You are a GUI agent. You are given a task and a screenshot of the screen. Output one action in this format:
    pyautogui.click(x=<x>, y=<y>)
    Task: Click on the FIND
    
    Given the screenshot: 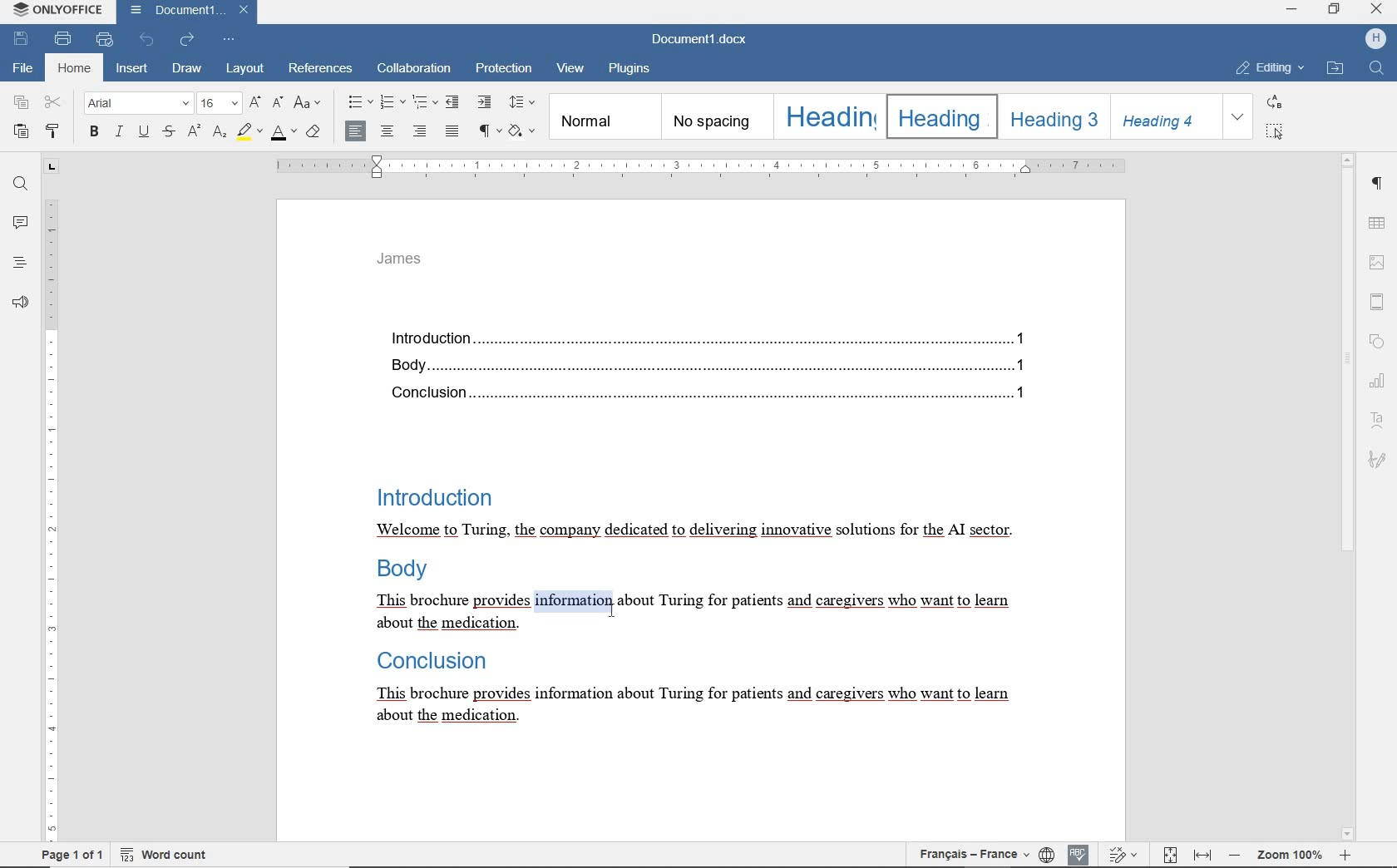 What is the action you would take?
    pyautogui.click(x=1376, y=67)
    